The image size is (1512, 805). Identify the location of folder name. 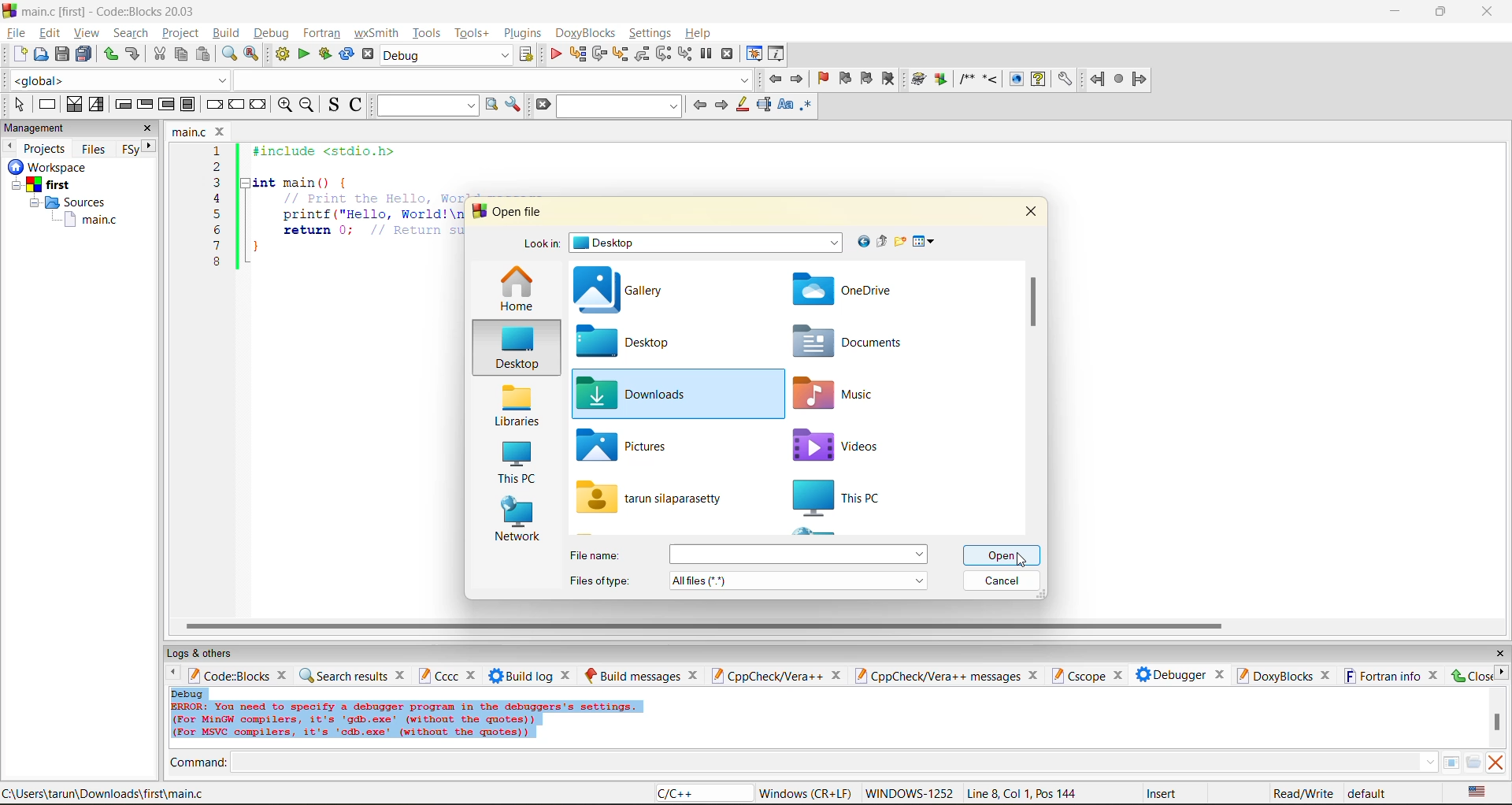
(708, 243).